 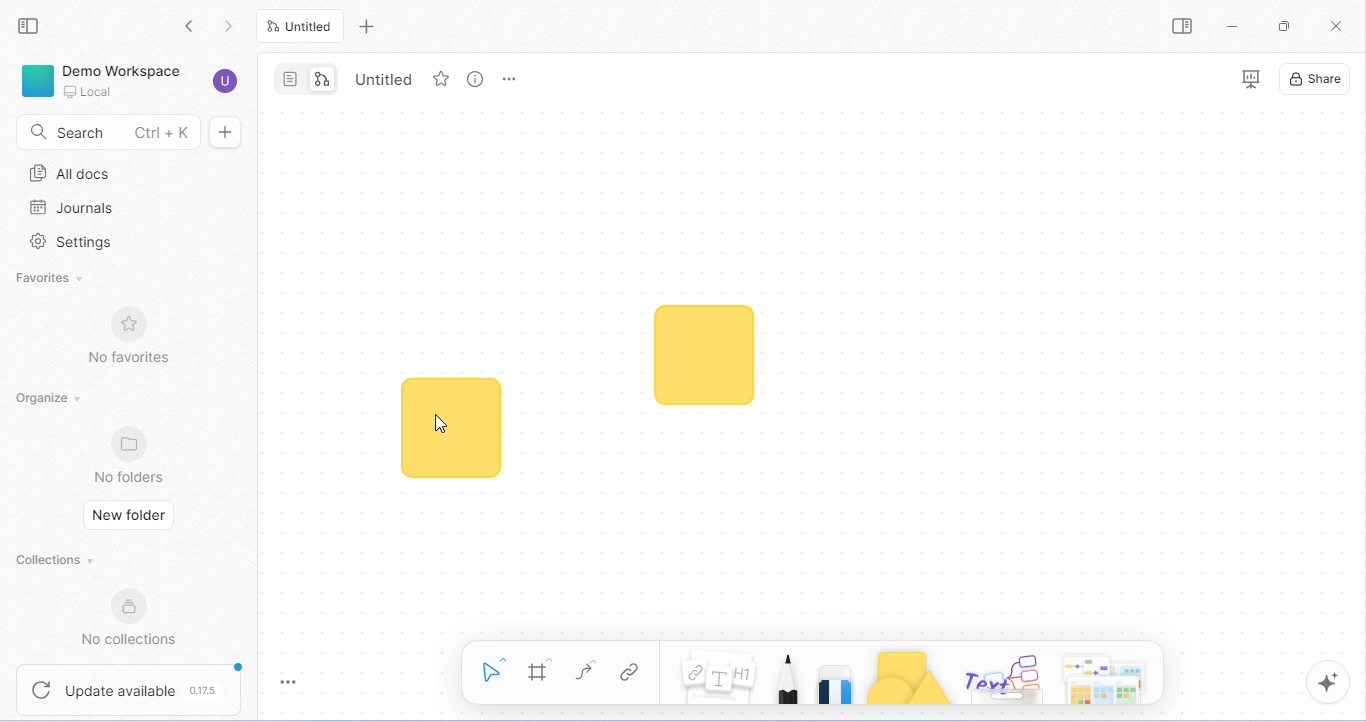 I want to click on close, so click(x=1339, y=26).